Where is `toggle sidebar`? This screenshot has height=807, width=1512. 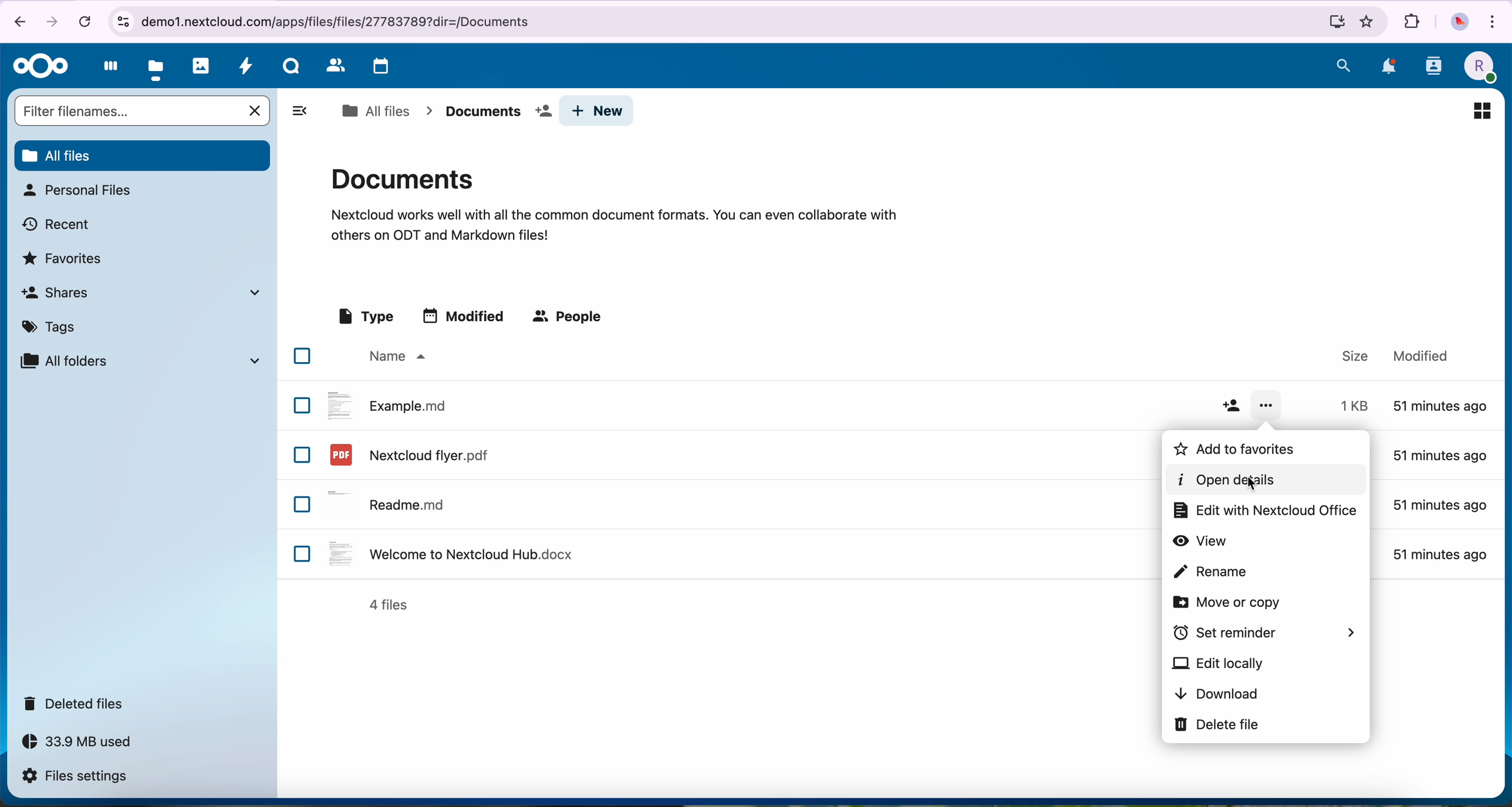 toggle sidebar is located at coordinates (299, 110).